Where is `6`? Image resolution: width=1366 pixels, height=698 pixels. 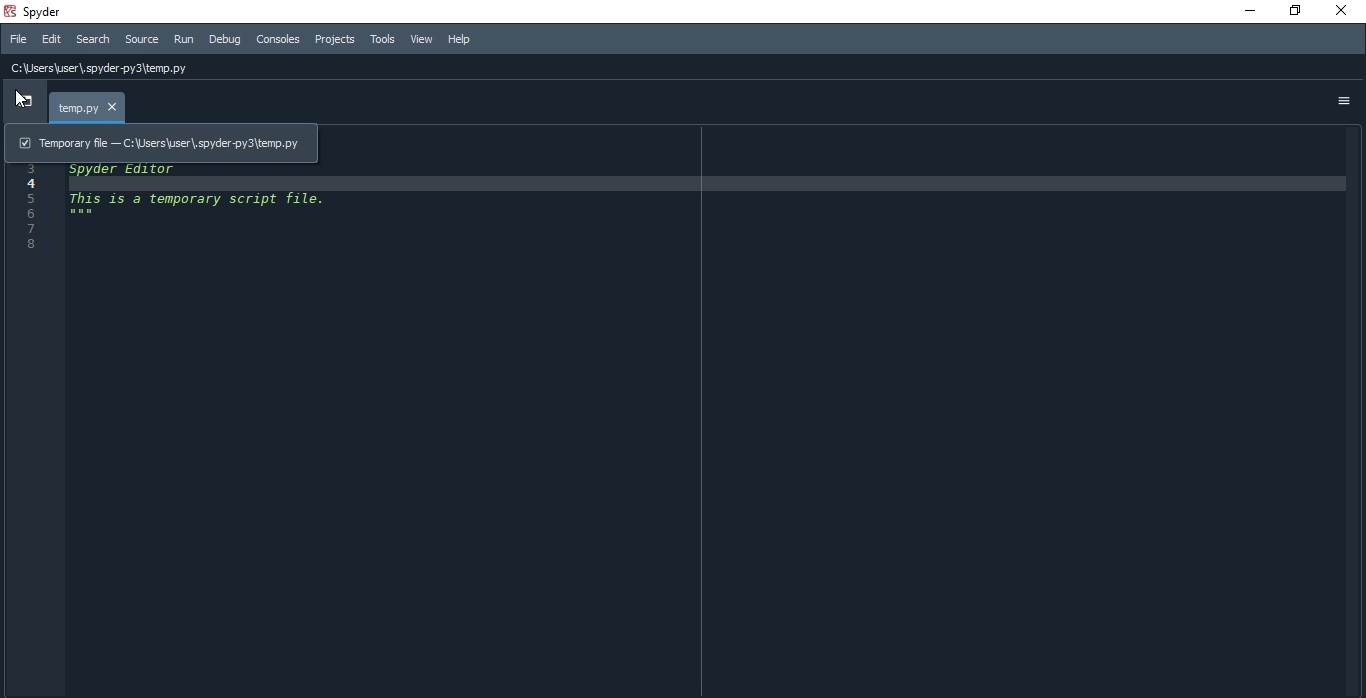
6 is located at coordinates (63, 216).